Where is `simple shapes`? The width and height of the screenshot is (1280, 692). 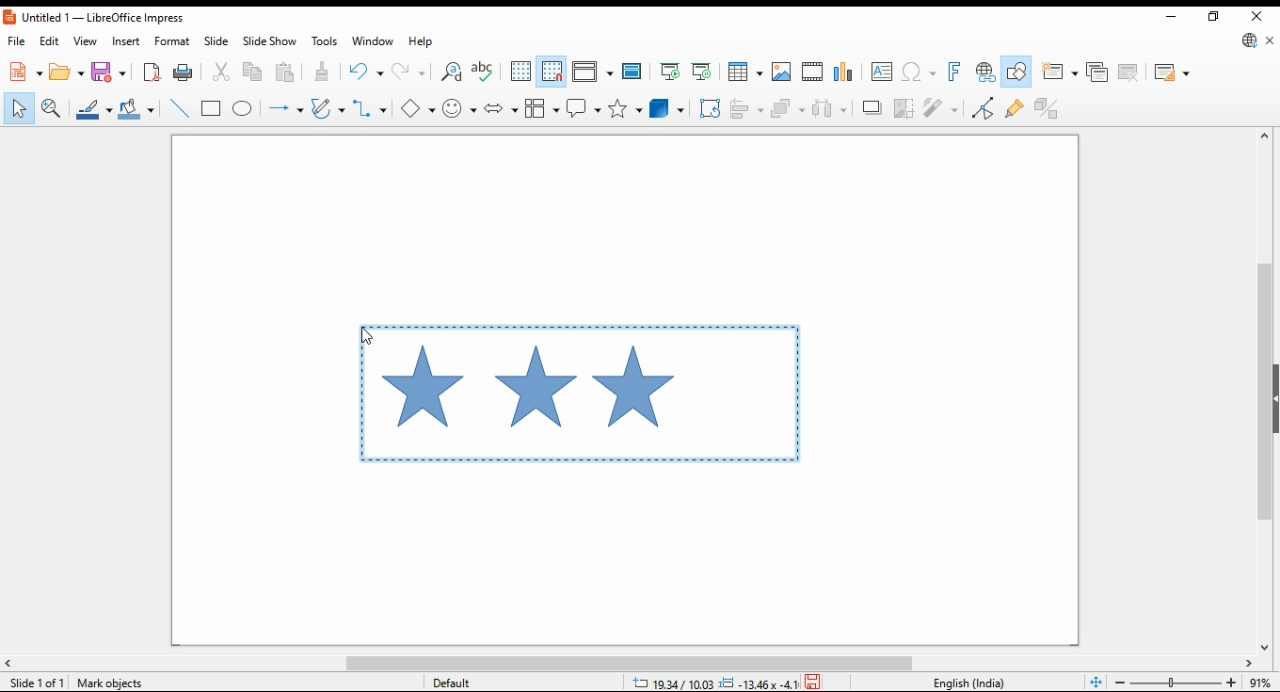 simple shapes is located at coordinates (419, 109).